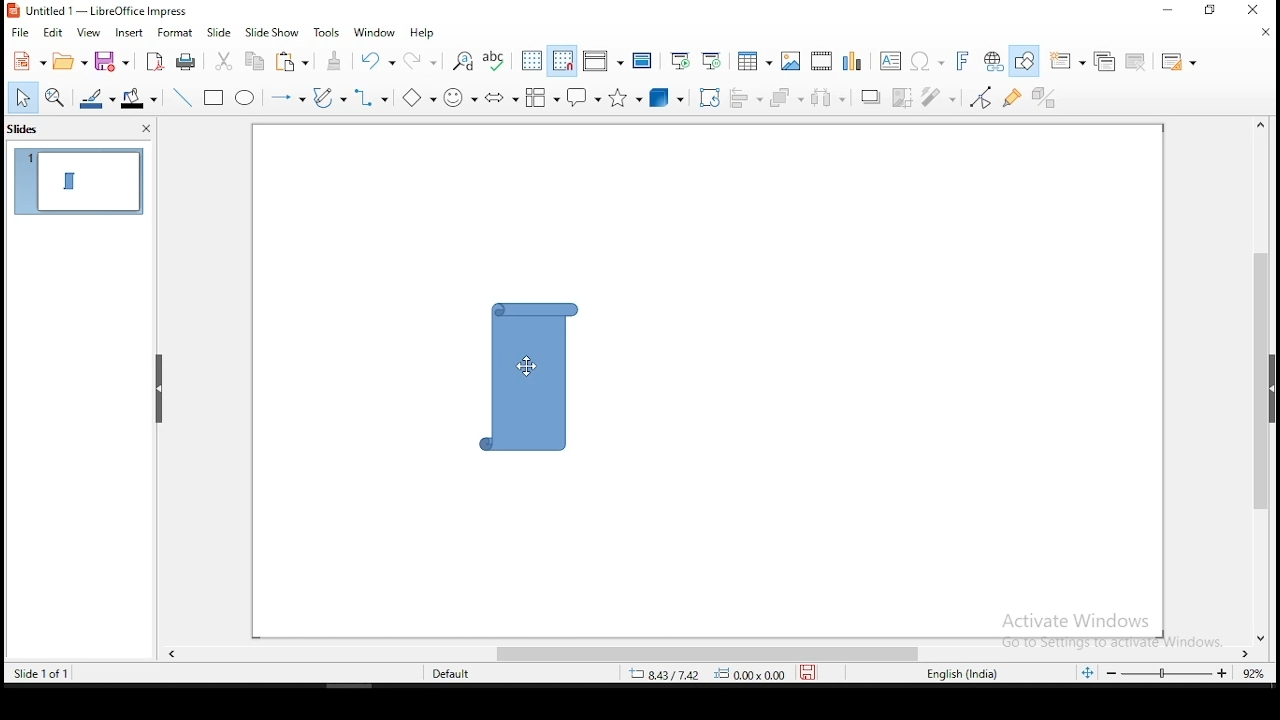 The width and height of the screenshot is (1280, 720). I want to click on zoom and pan, so click(55, 95).